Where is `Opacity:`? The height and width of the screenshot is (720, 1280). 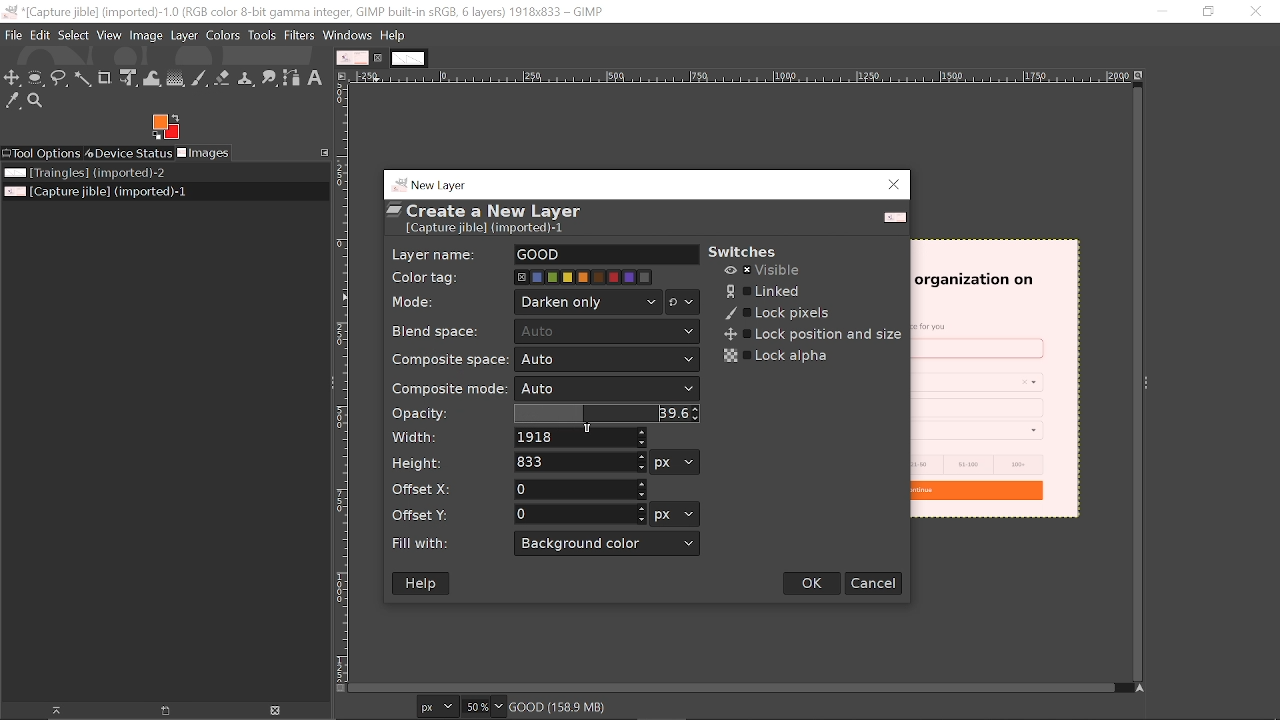
Opacity: is located at coordinates (421, 414).